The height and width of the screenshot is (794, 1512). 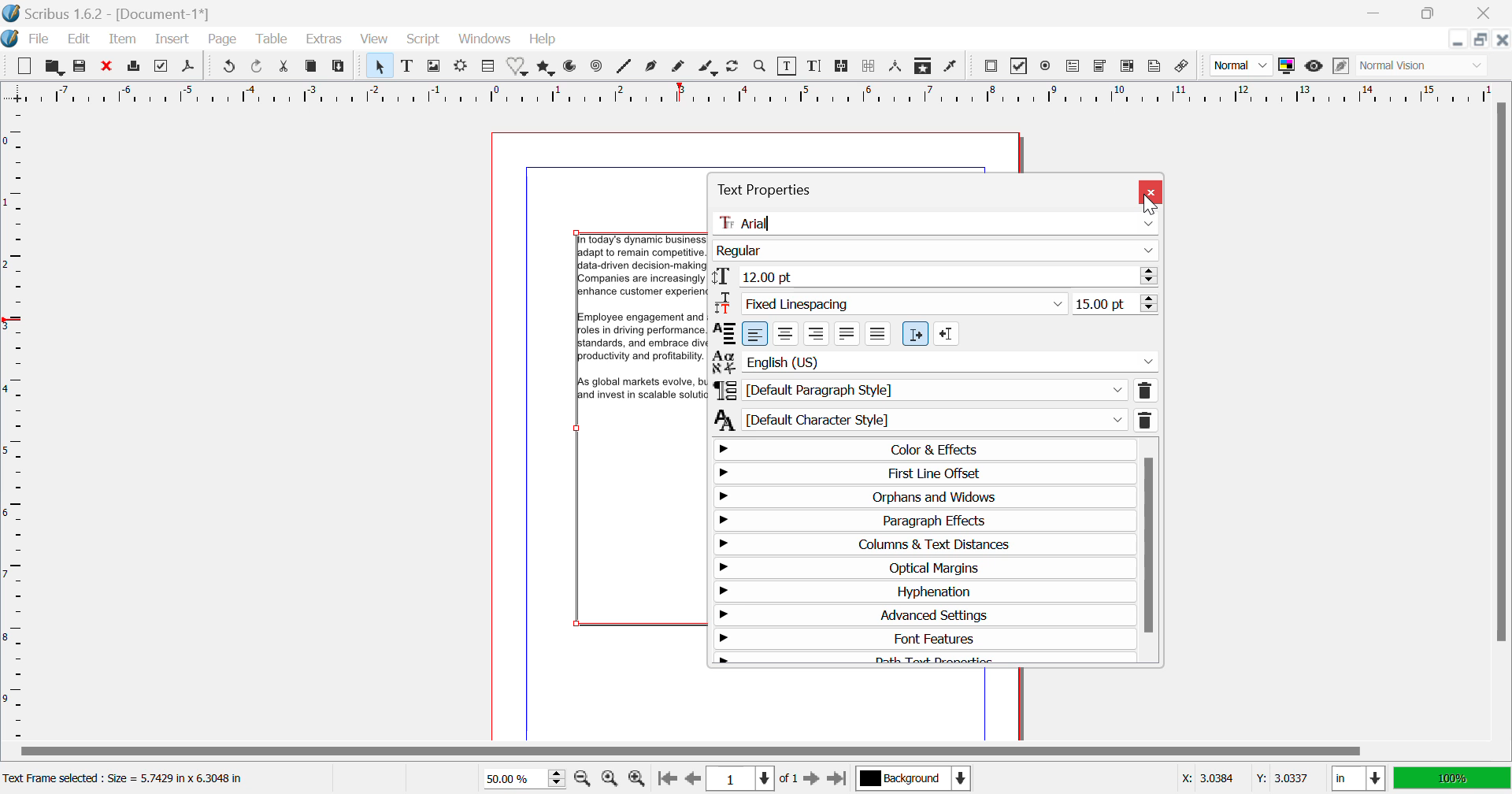 I want to click on Hyphenation, so click(x=921, y=593).